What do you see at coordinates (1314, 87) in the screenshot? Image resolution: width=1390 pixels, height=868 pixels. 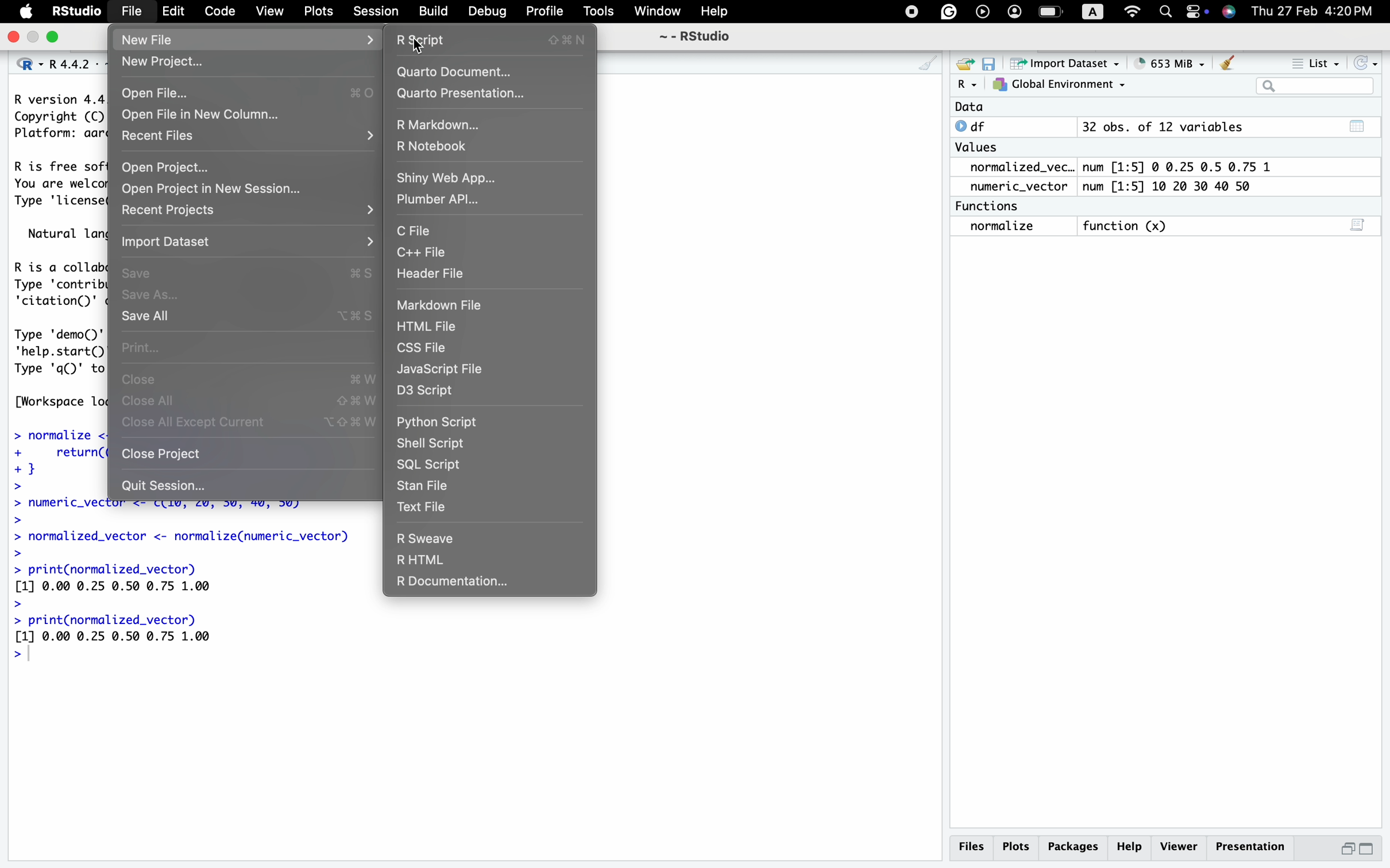 I see `Search Bar` at bounding box center [1314, 87].